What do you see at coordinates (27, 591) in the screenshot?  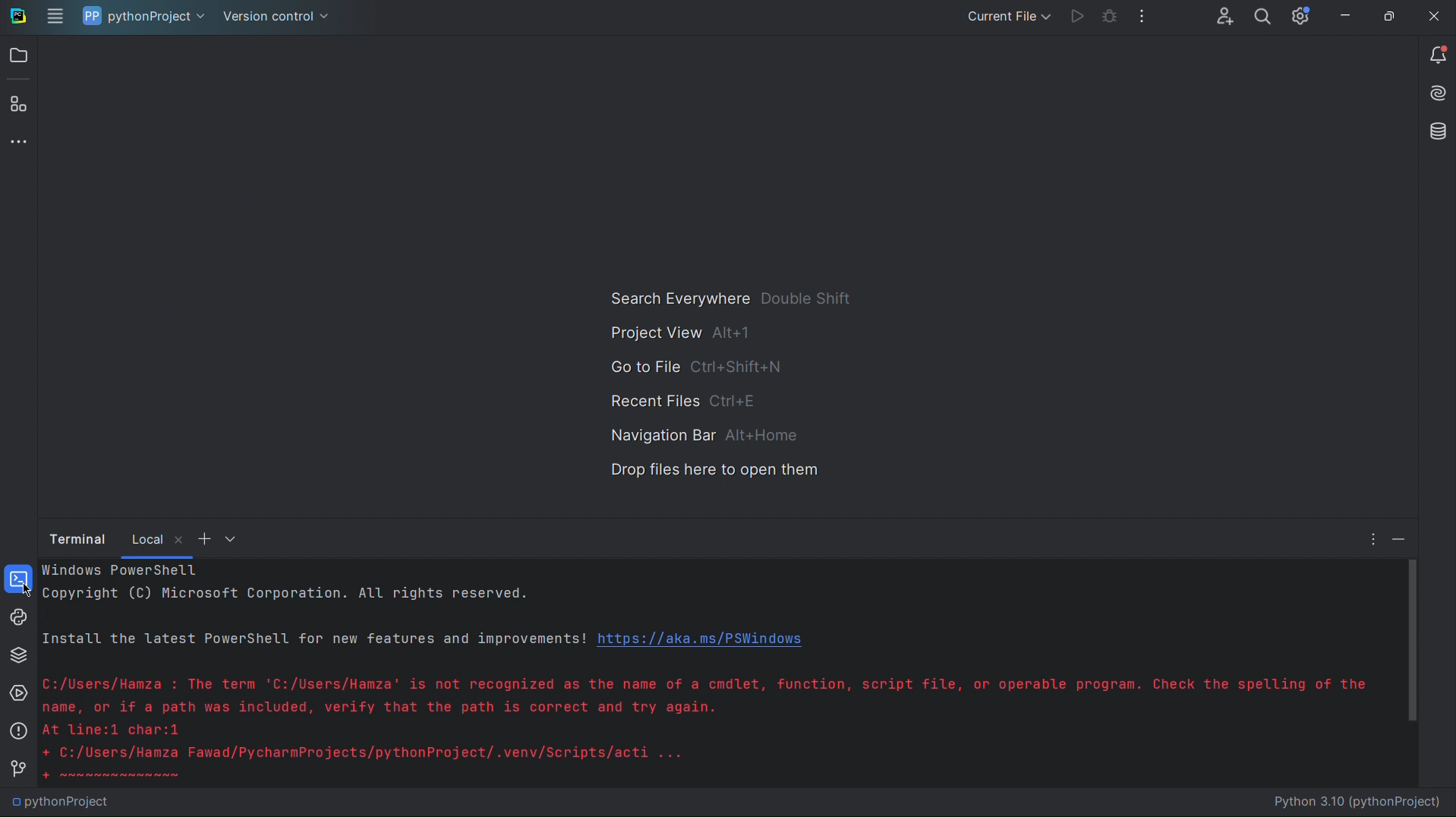 I see `Cursor` at bounding box center [27, 591].